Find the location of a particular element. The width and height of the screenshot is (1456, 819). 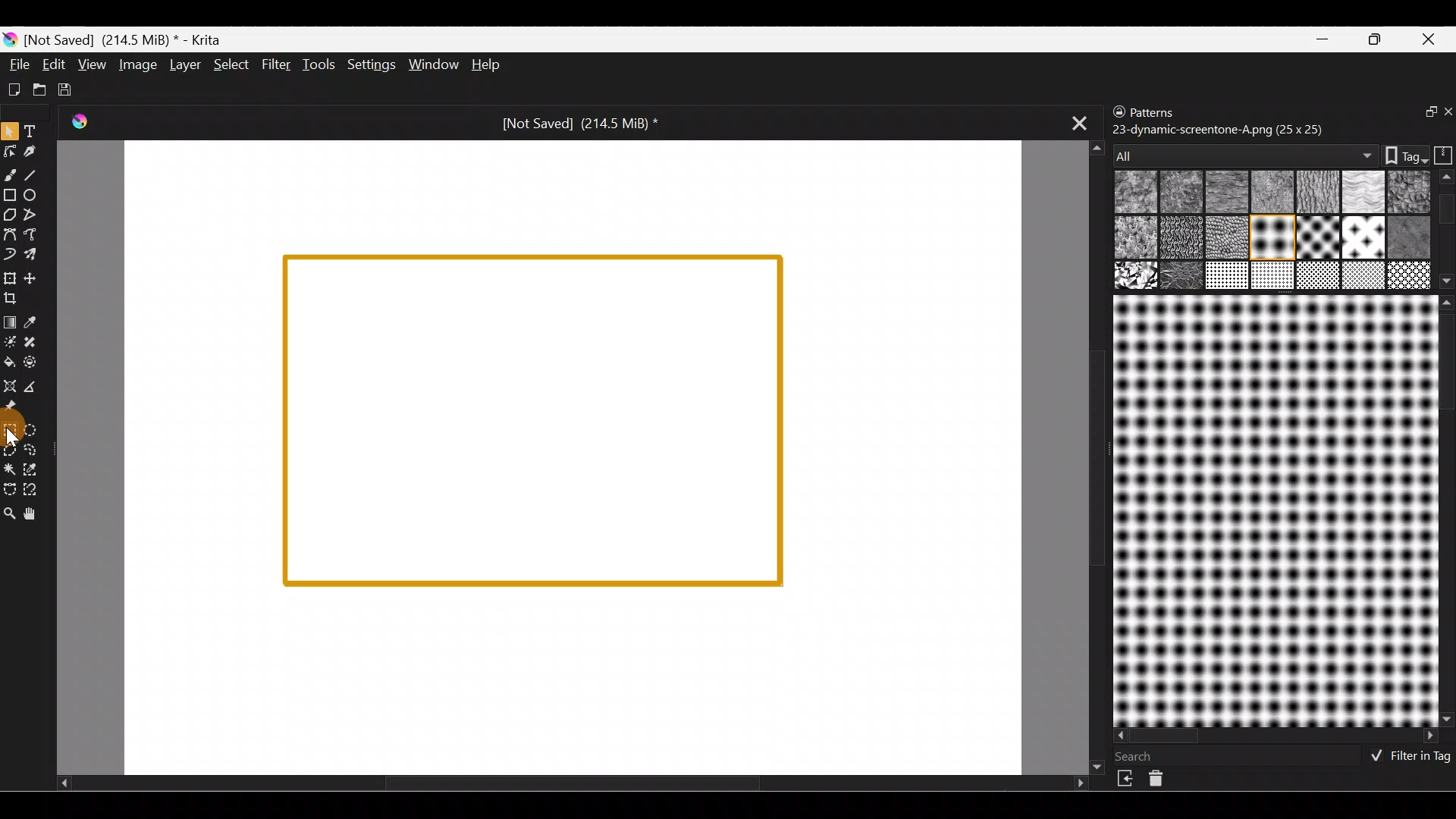

[Not Saved] (214.5 MiB) * - Krita is located at coordinates (129, 40).